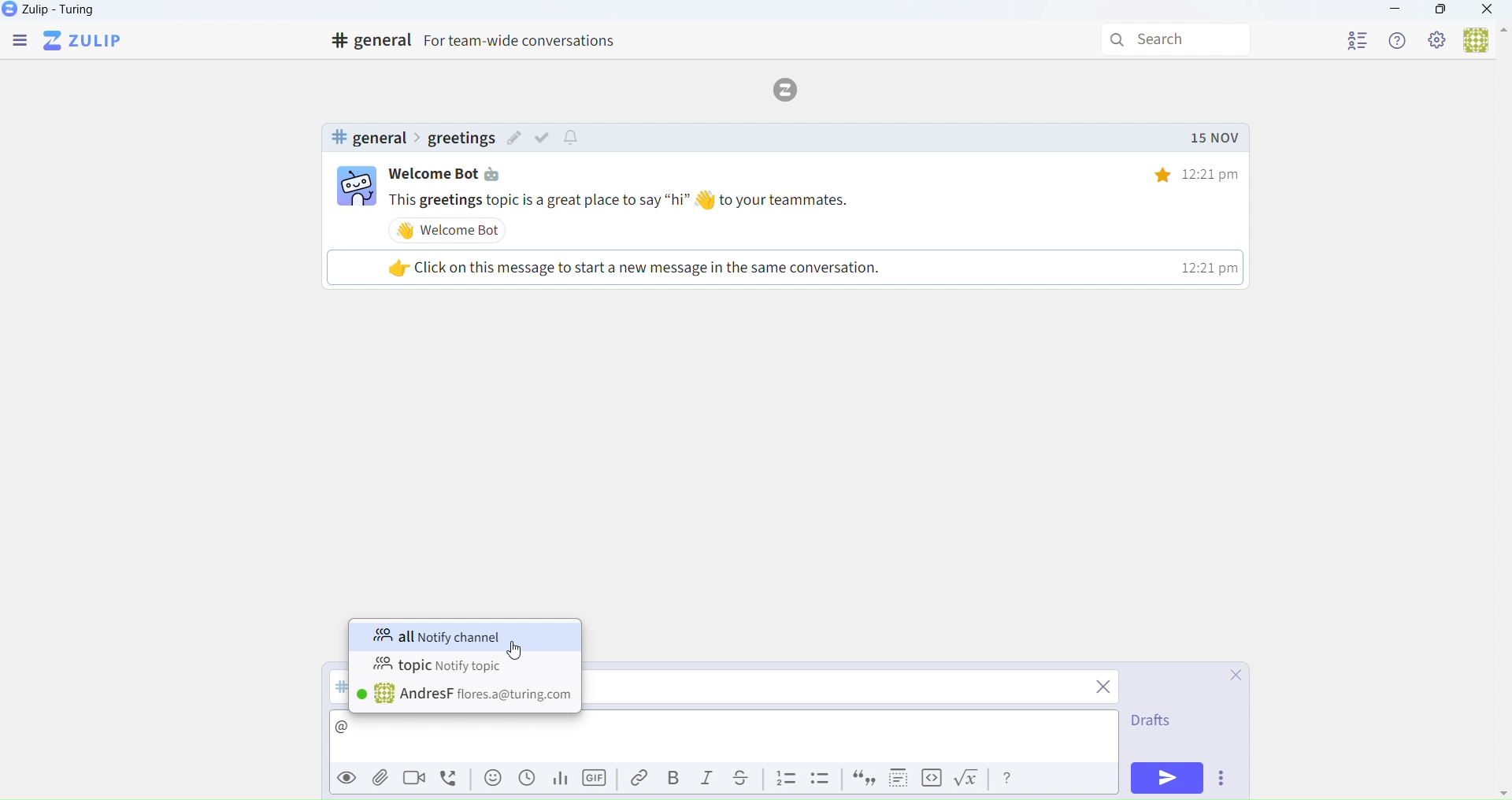 This screenshot has height=800, width=1512. Describe the element at coordinates (515, 651) in the screenshot. I see `Cursor` at that location.